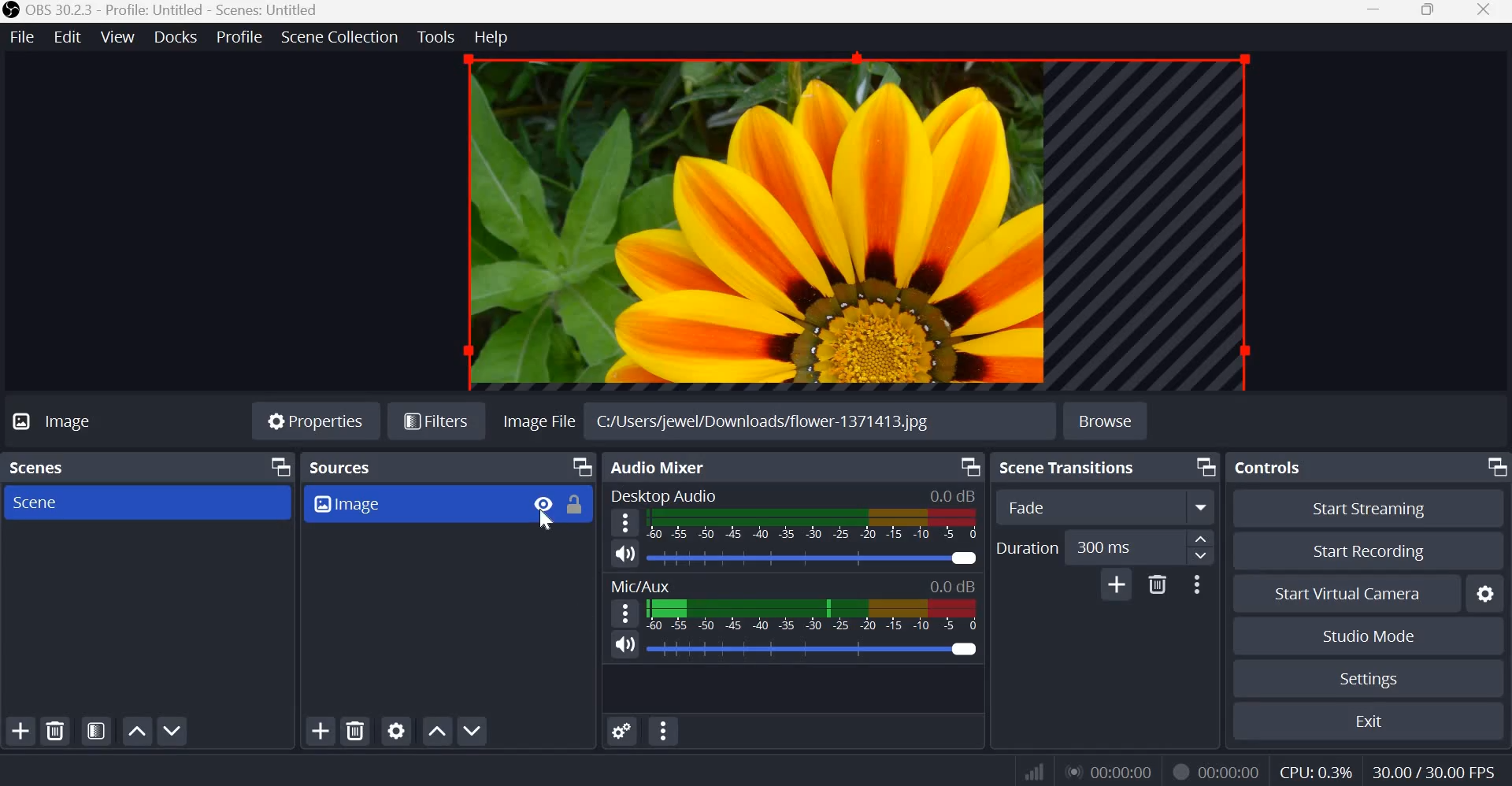 The image size is (1512, 786). I want to click on Add Transition, so click(1117, 584).